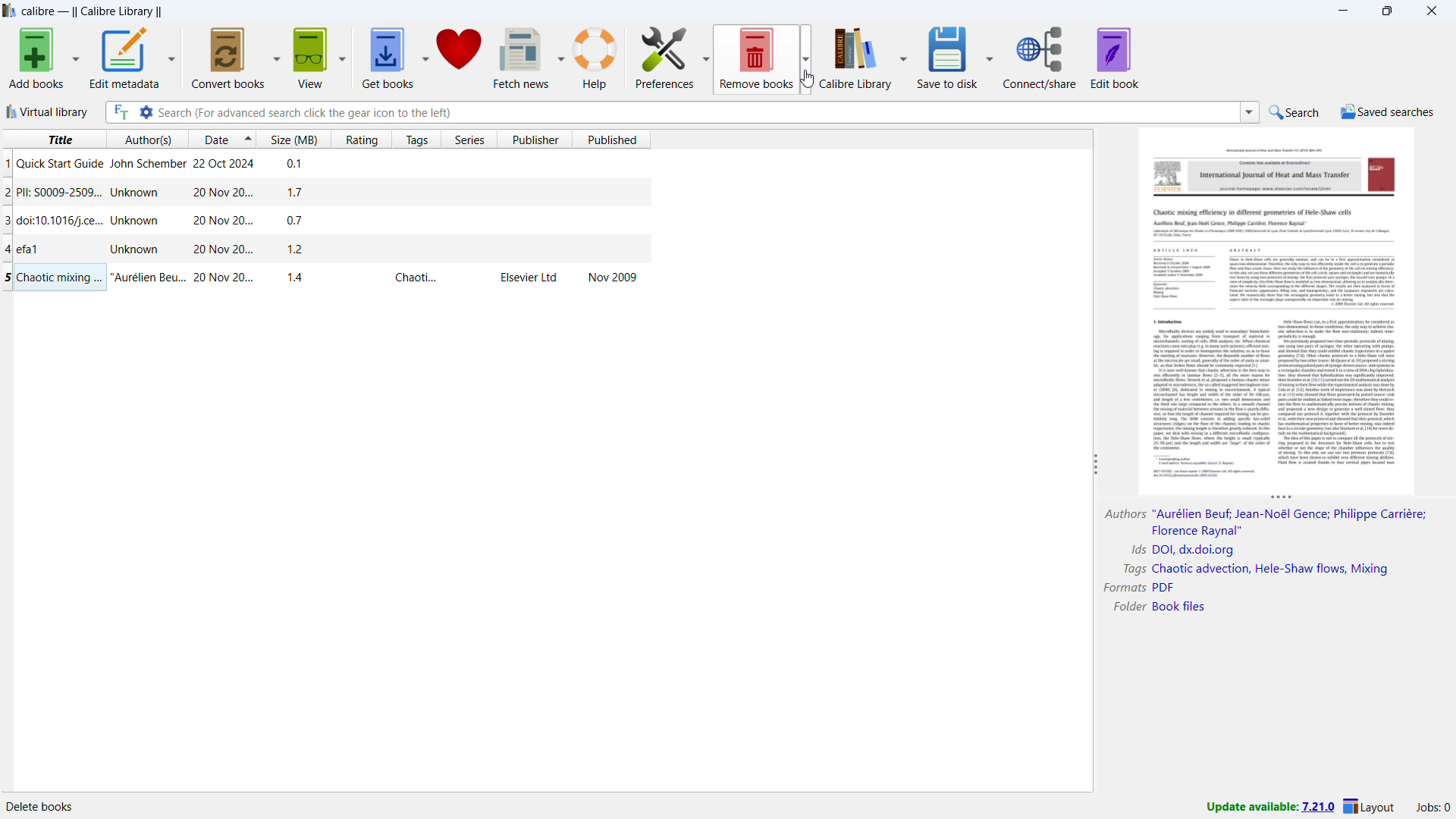  I want to click on view options, so click(342, 57).